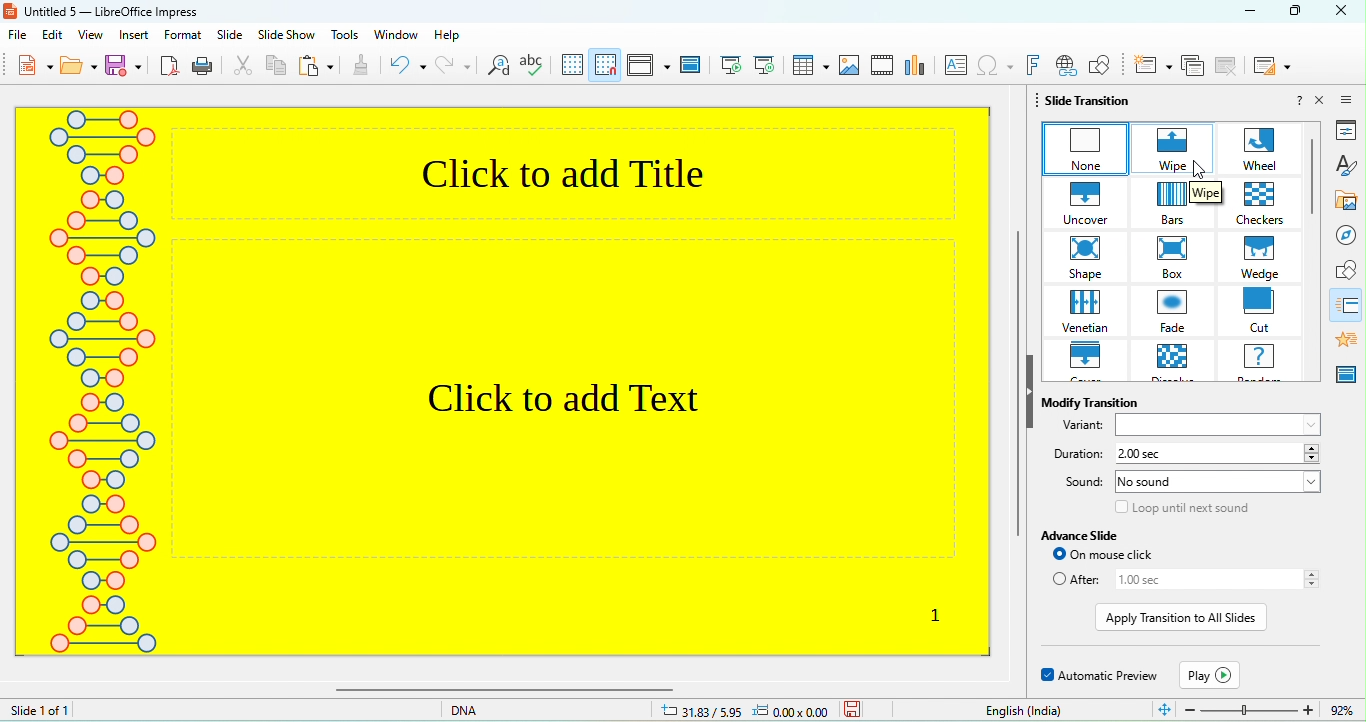 This screenshot has height=722, width=1366. I want to click on dissolve, so click(1174, 363).